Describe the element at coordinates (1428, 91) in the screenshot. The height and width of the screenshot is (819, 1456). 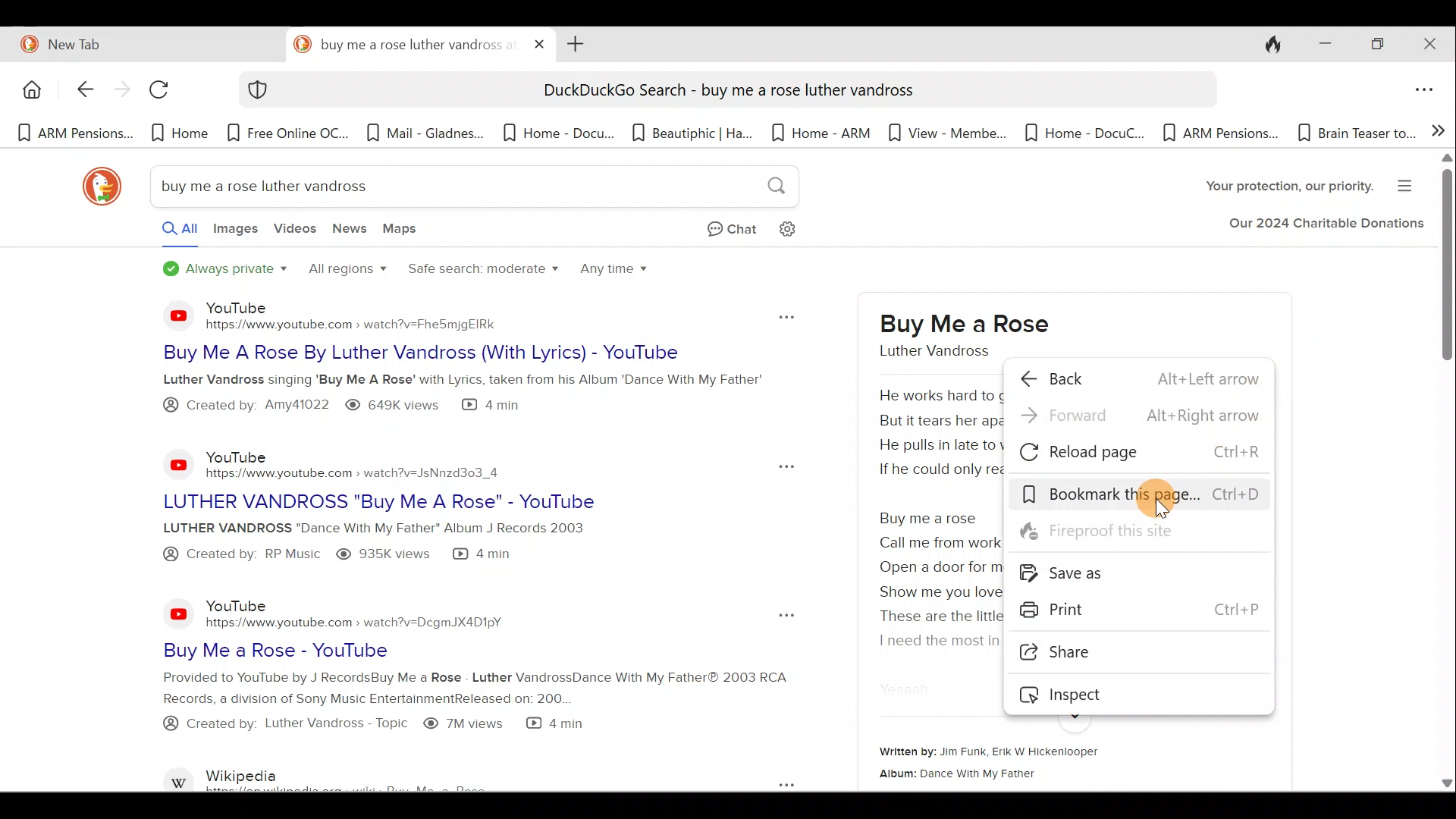
I see `Application menu` at that location.